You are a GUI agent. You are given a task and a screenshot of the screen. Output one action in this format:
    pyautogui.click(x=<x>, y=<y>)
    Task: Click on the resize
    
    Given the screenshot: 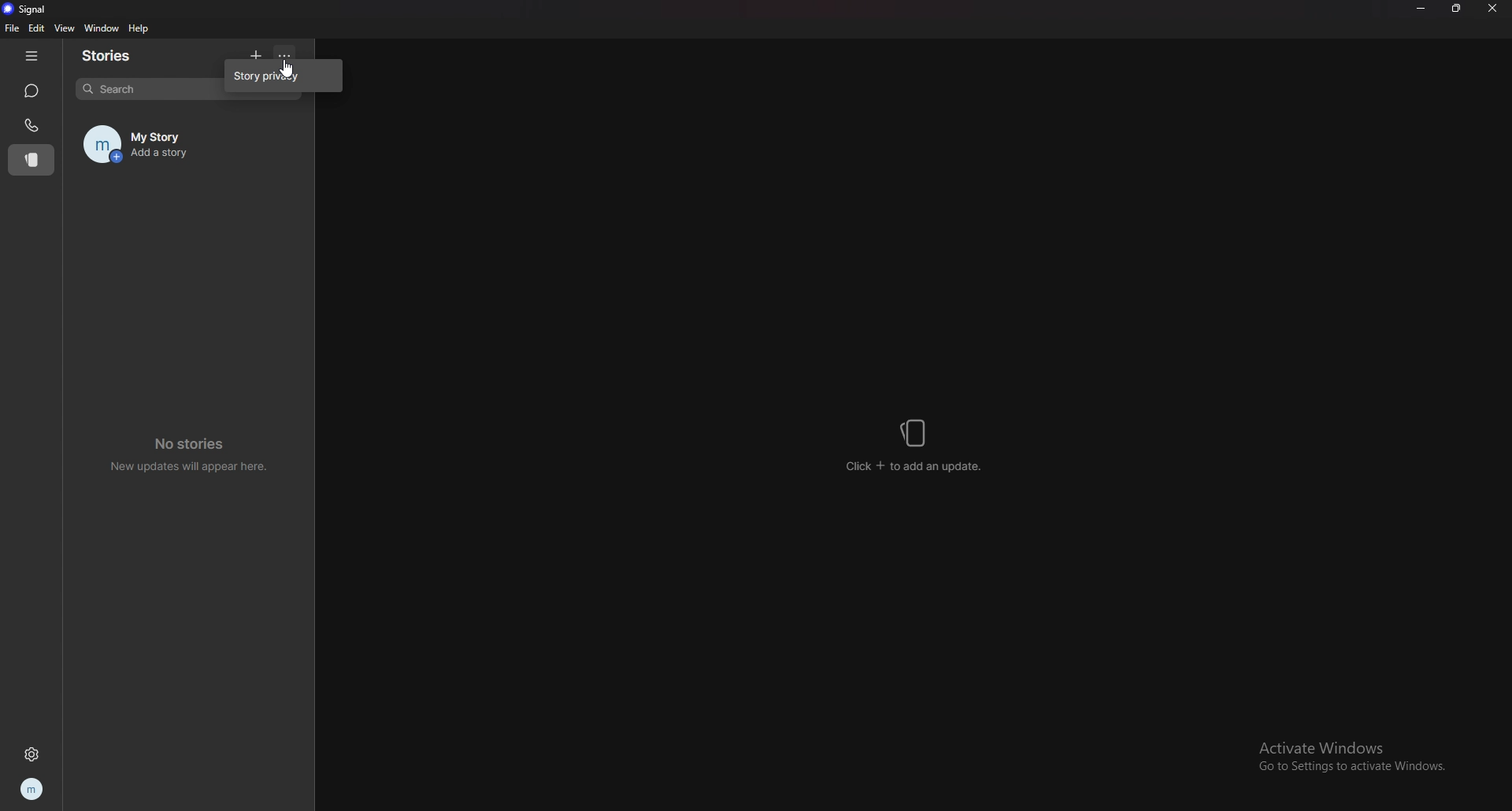 What is the action you would take?
    pyautogui.click(x=1456, y=9)
    